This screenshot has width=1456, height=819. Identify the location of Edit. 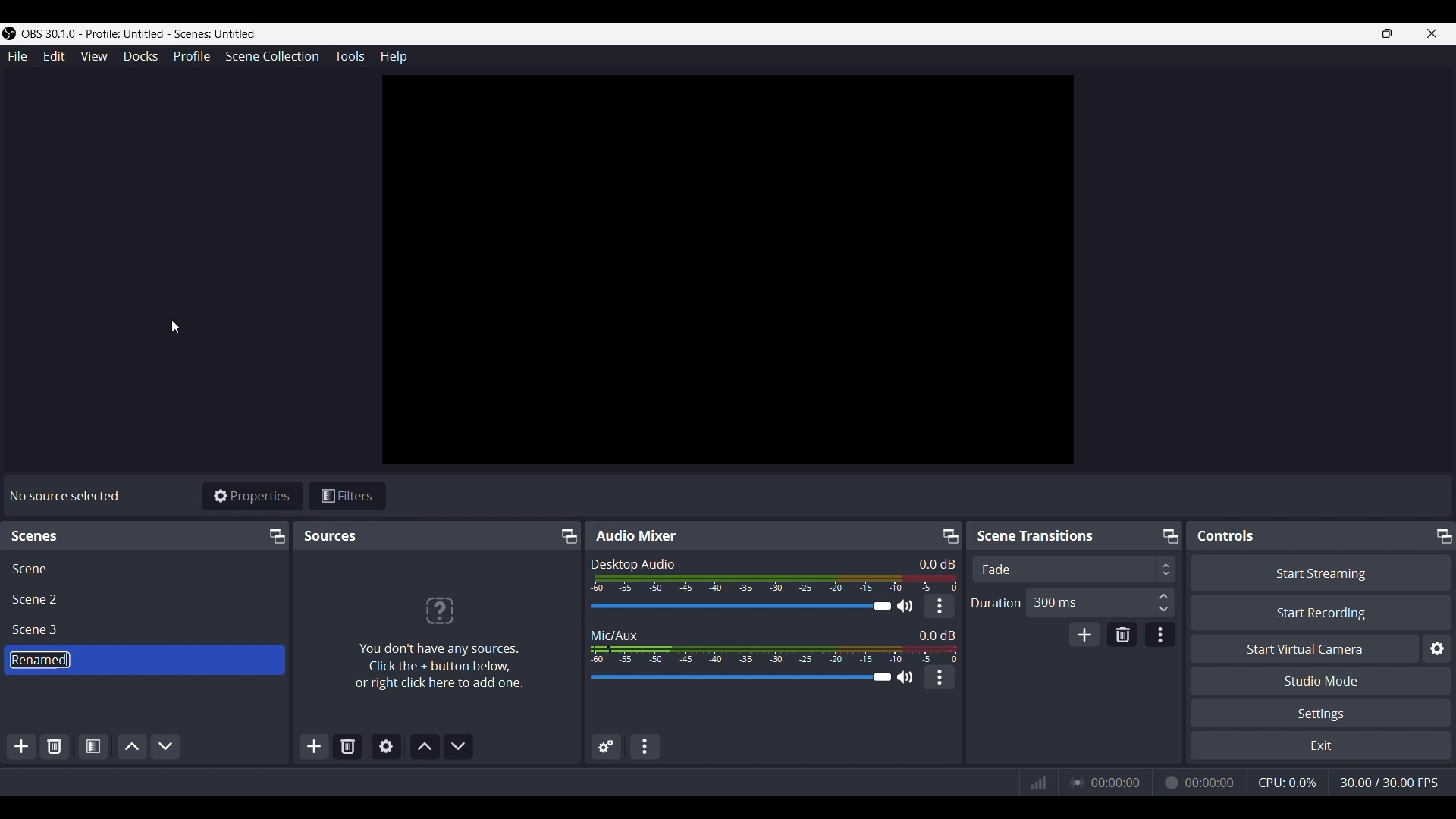
(54, 58).